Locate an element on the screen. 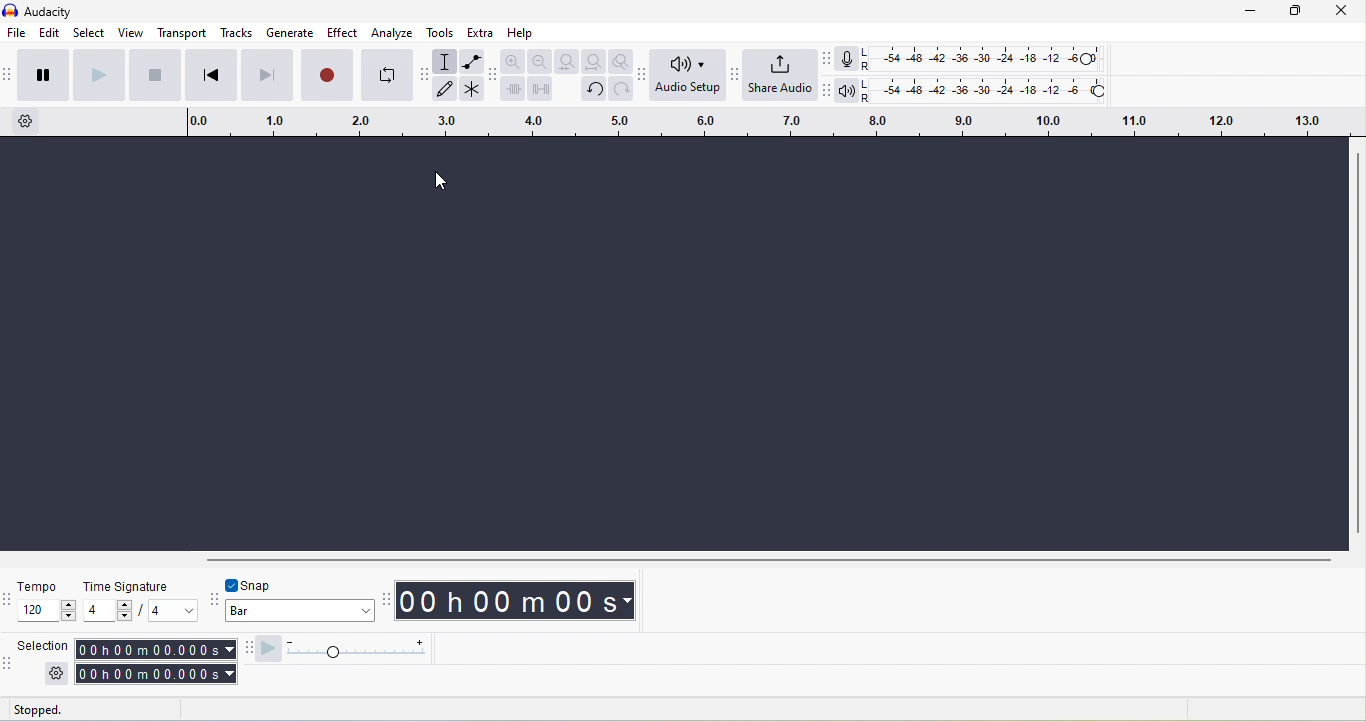 The image size is (1366, 722). edit is located at coordinates (49, 32).